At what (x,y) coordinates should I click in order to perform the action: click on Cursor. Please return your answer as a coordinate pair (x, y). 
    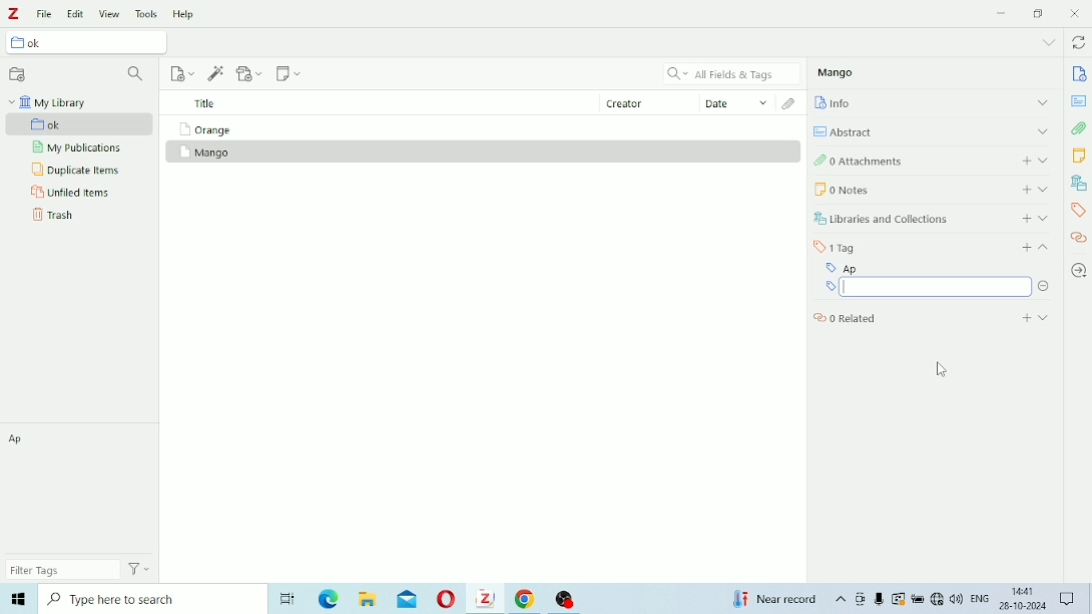
    Looking at the image, I should click on (943, 369).